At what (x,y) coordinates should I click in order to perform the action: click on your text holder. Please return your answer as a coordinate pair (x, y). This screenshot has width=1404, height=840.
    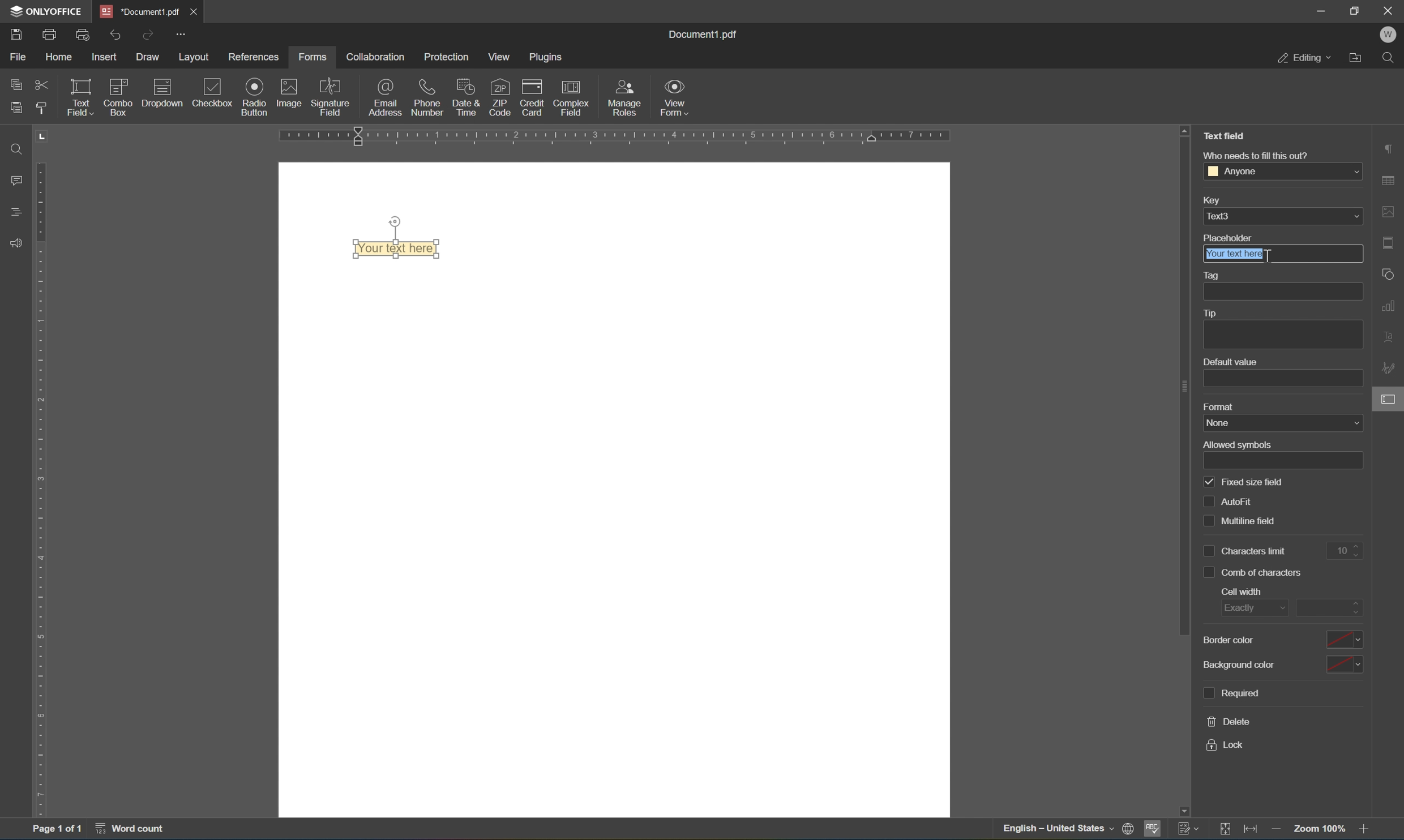
    Looking at the image, I should click on (1236, 254).